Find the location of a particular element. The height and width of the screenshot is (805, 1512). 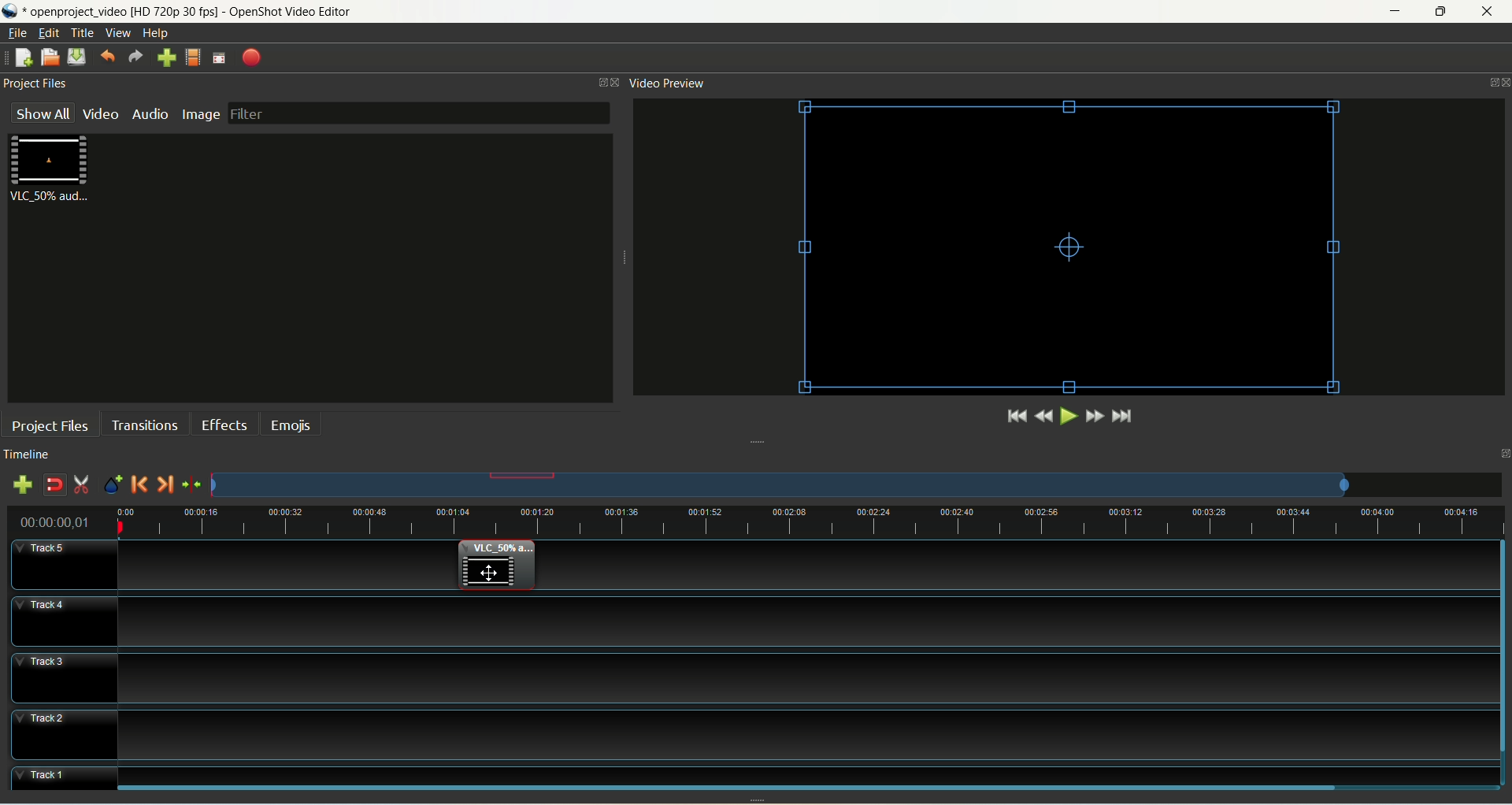

add track is located at coordinates (20, 484).